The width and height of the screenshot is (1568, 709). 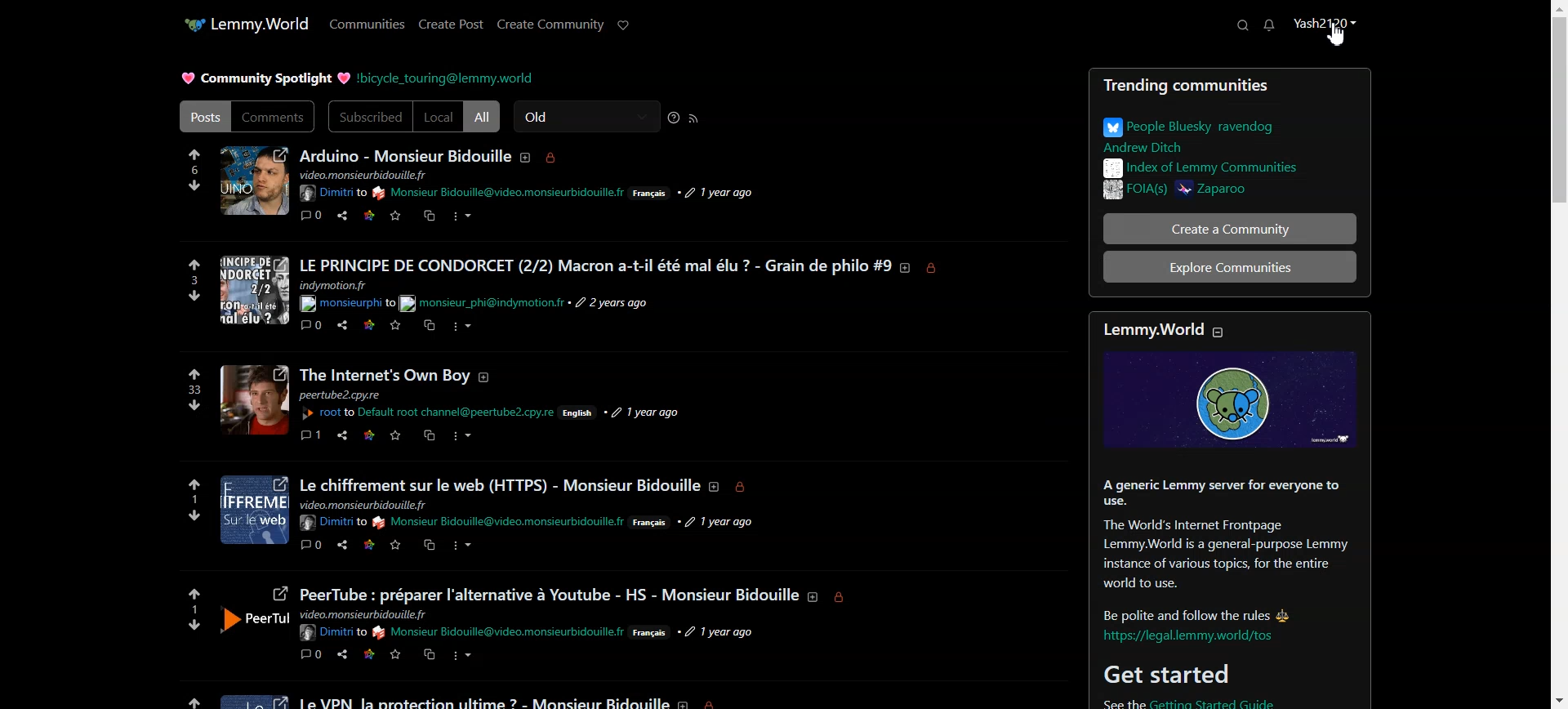 I want to click on Index of Lemmy communities, so click(x=1199, y=167).